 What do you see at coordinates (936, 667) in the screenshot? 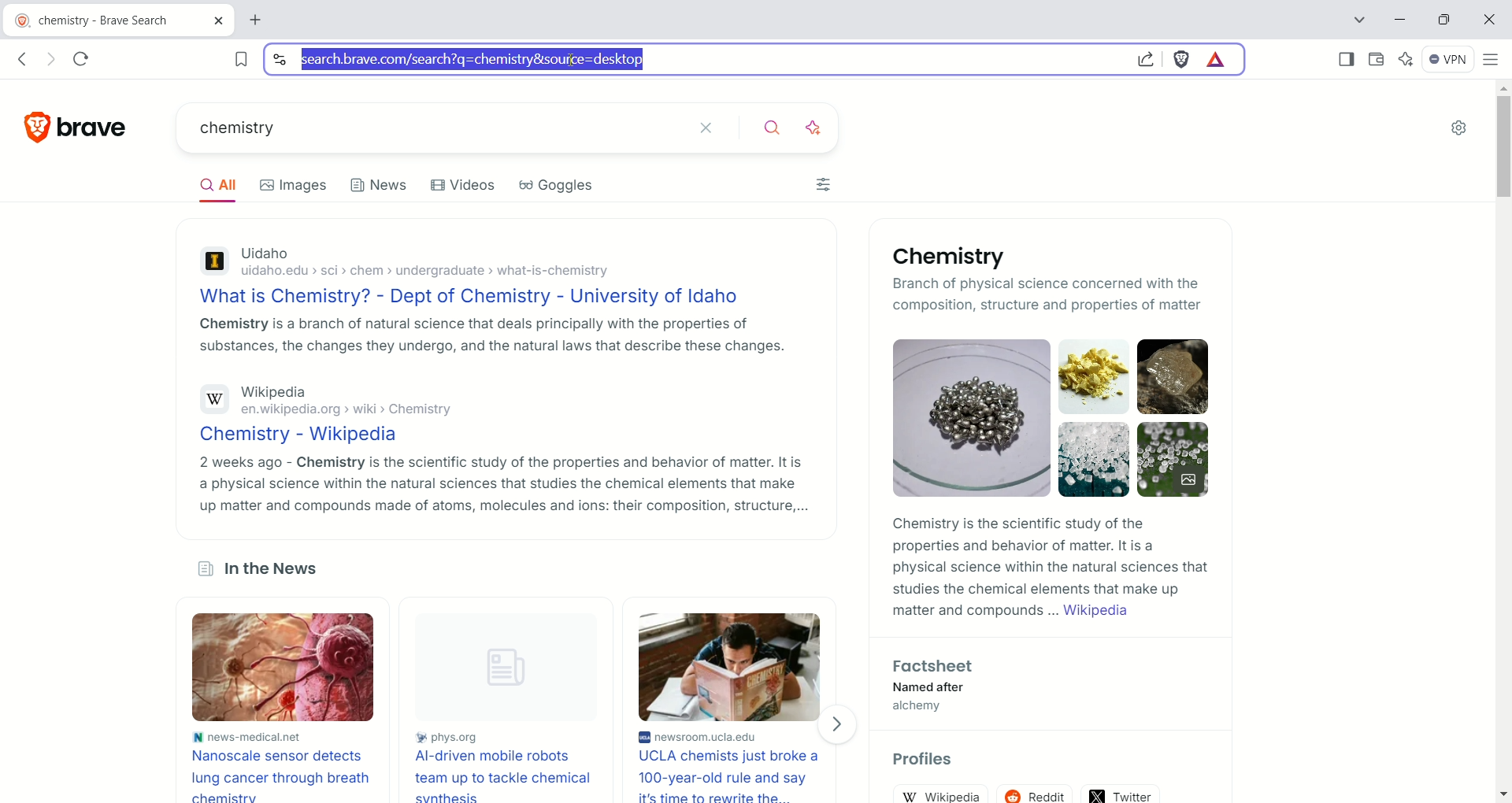
I see `Factsheet` at bounding box center [936, 667].